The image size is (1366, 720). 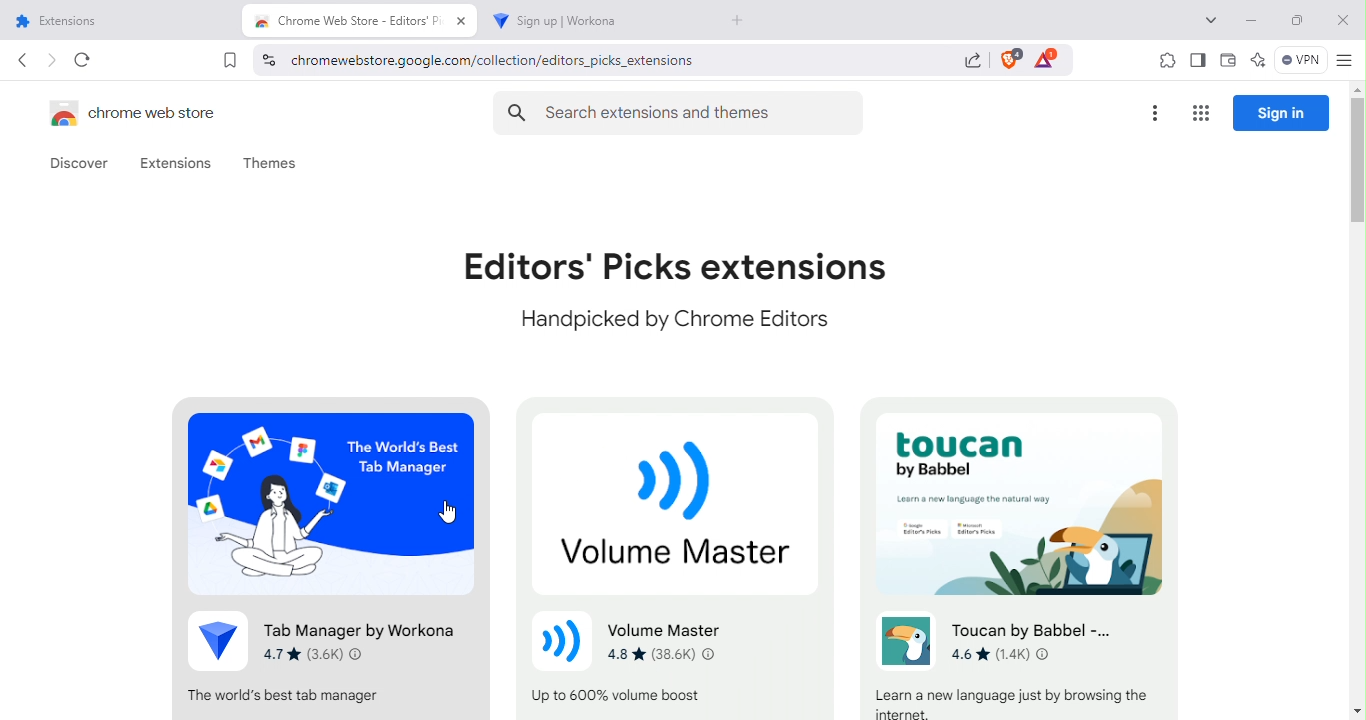 I want to click on Extension, so click(x=684, y=555).